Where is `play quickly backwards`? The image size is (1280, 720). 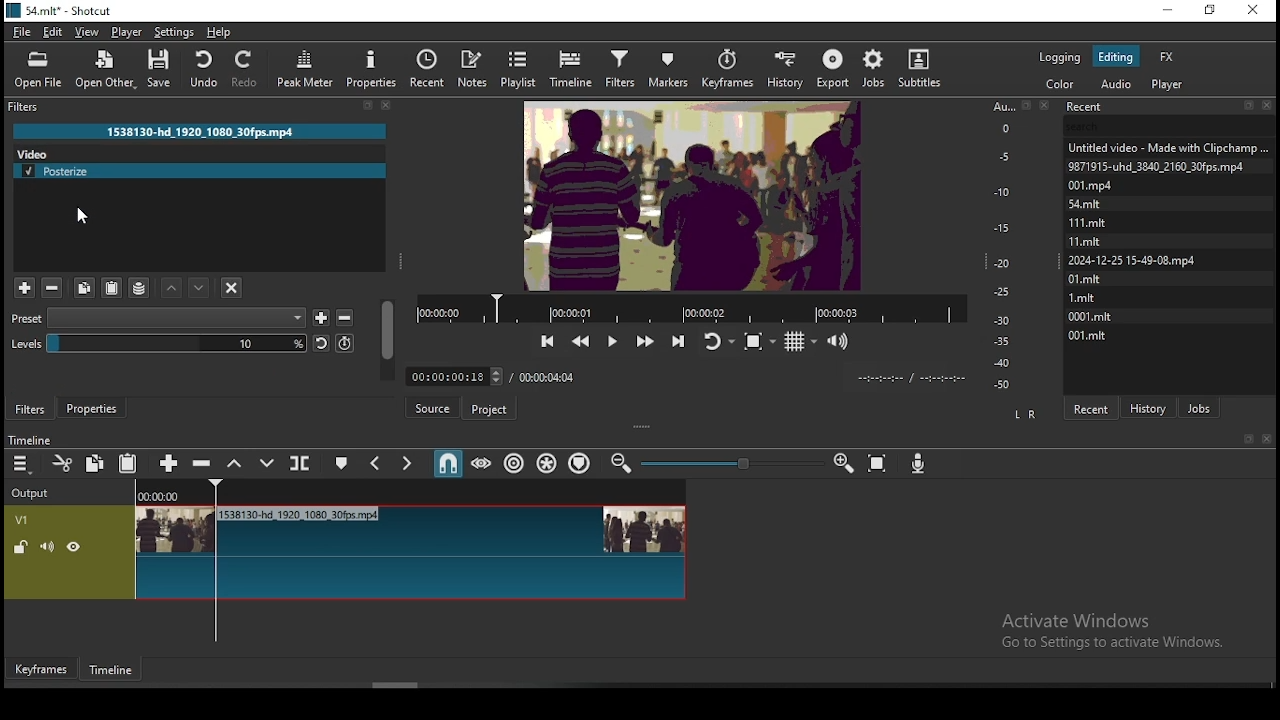
play quickly backwards is located at coordinates (582, 341).